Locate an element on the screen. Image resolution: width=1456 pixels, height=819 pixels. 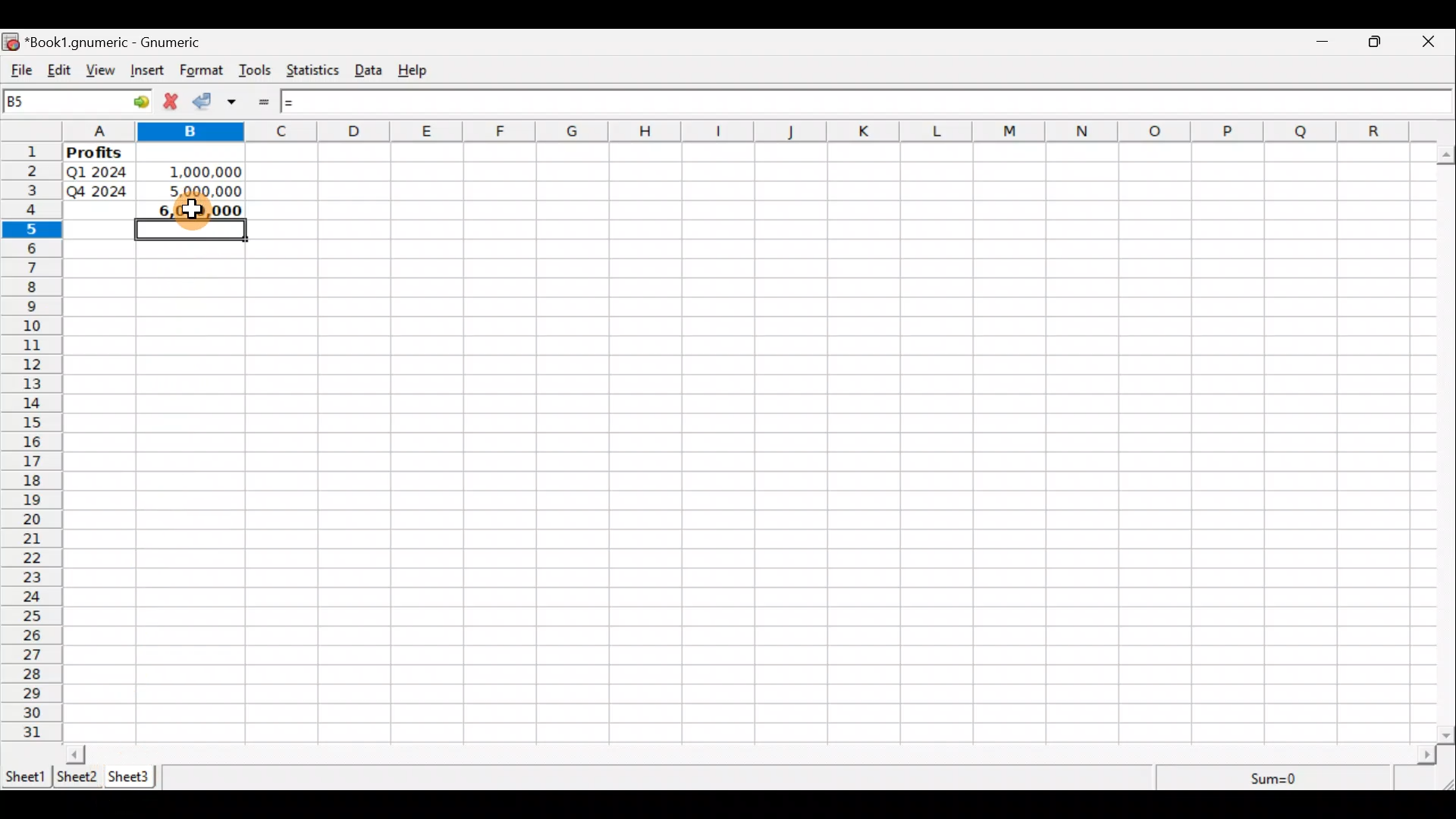
scroll up is located at coordinates (1447, 155).